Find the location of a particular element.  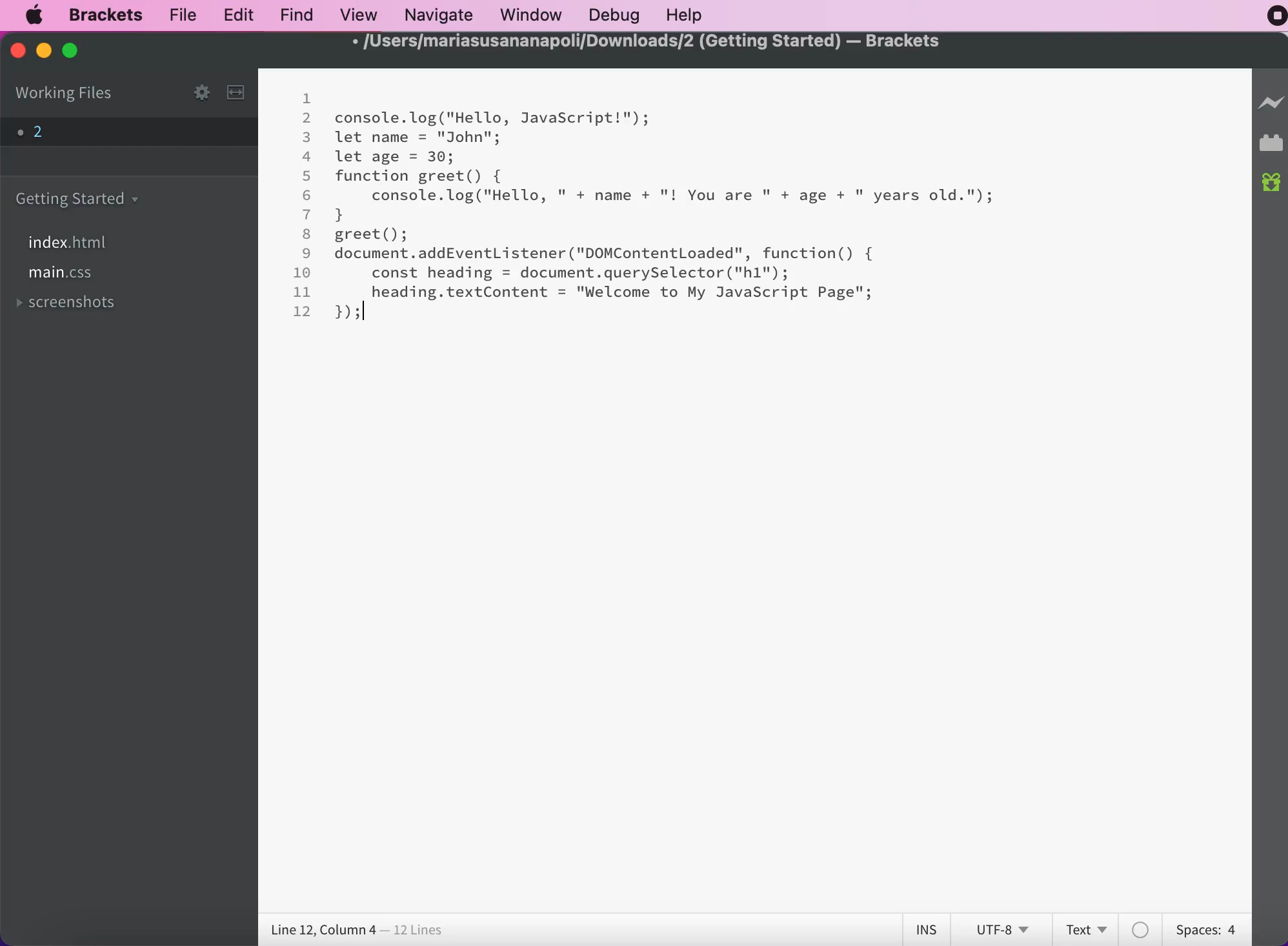

12 is located at coordinates (302, 311).